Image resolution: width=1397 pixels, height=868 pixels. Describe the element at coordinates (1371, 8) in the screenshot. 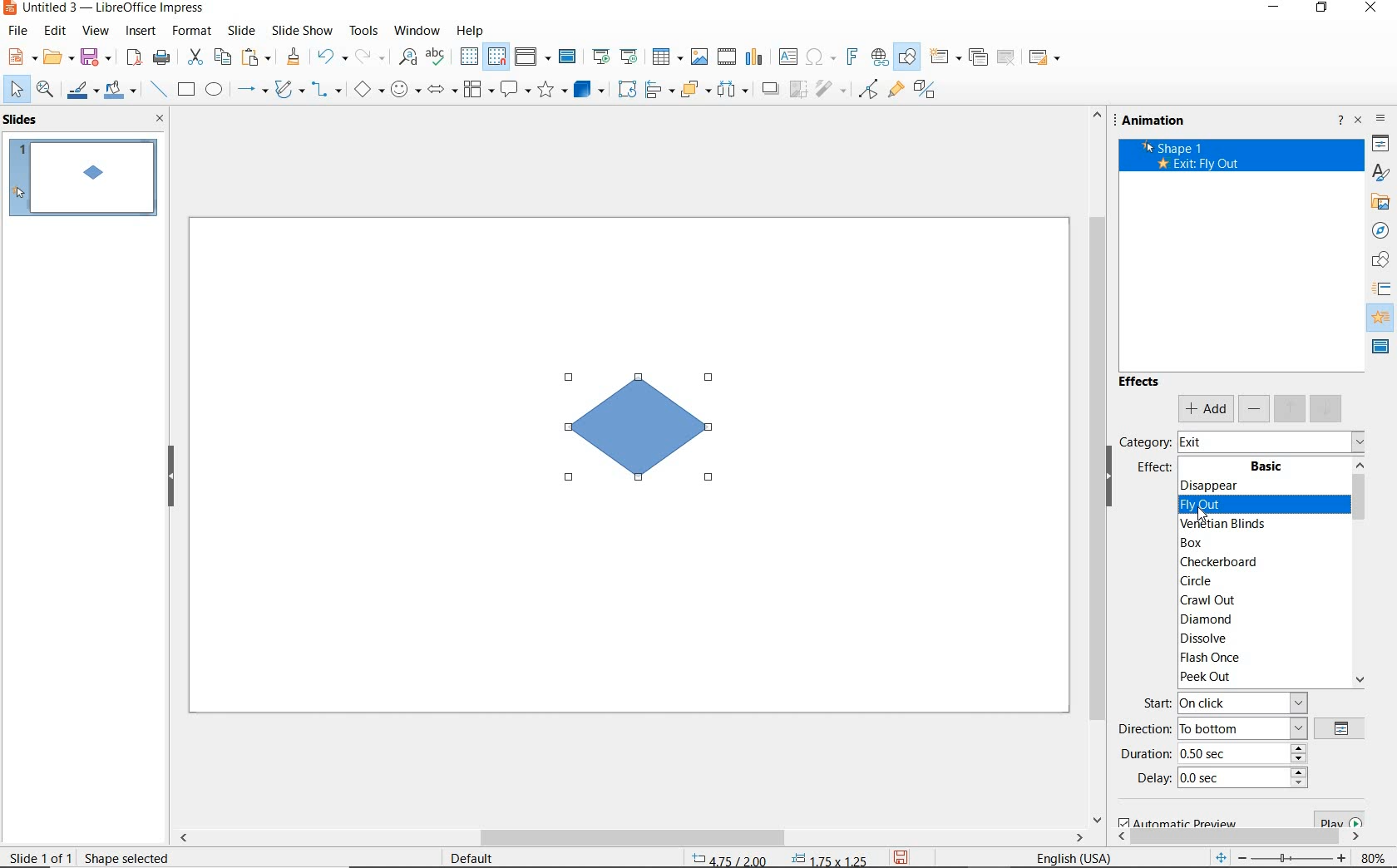

I see `close` at that location.